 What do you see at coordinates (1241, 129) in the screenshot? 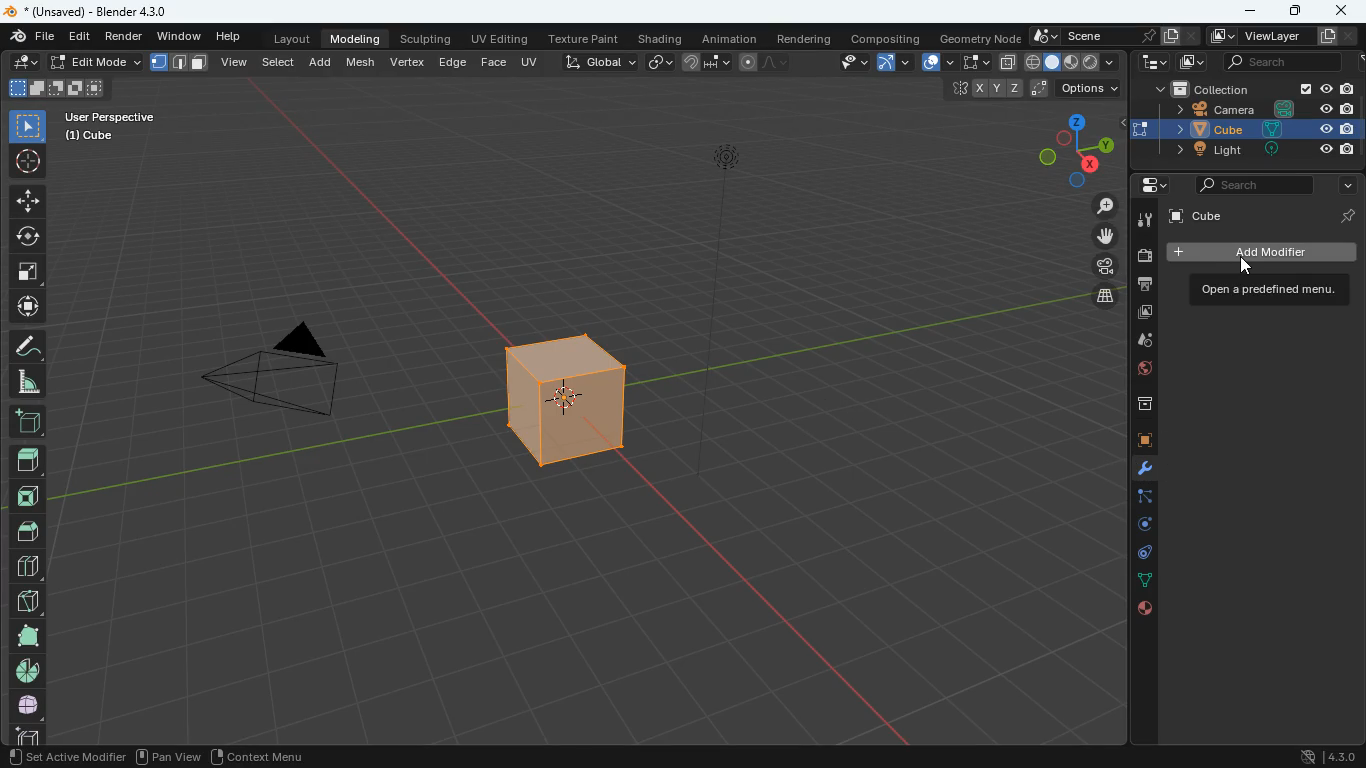
I see `cube` at bounding box center [1241, 129].